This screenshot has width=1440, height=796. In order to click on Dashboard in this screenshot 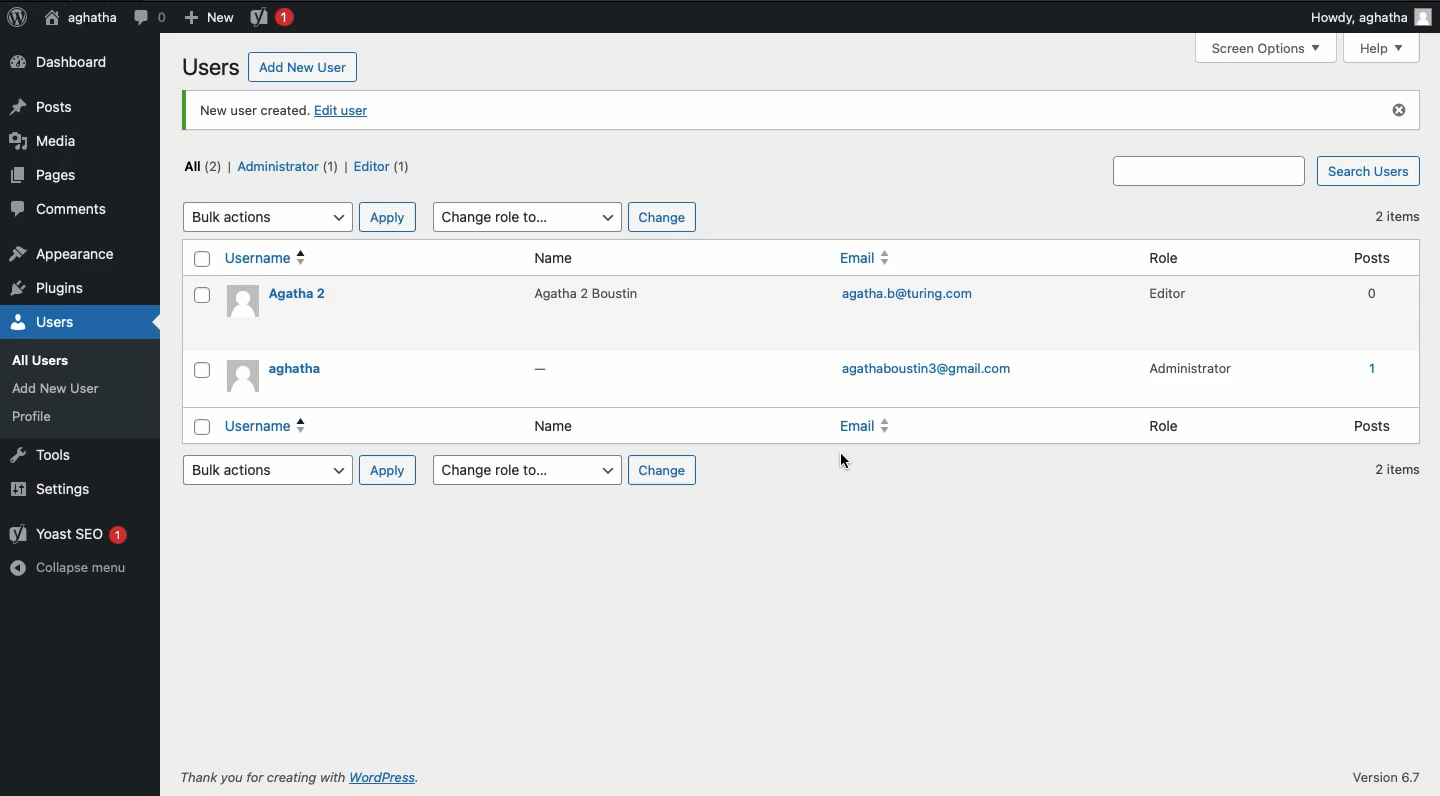, I will do `click(65, 63)`.